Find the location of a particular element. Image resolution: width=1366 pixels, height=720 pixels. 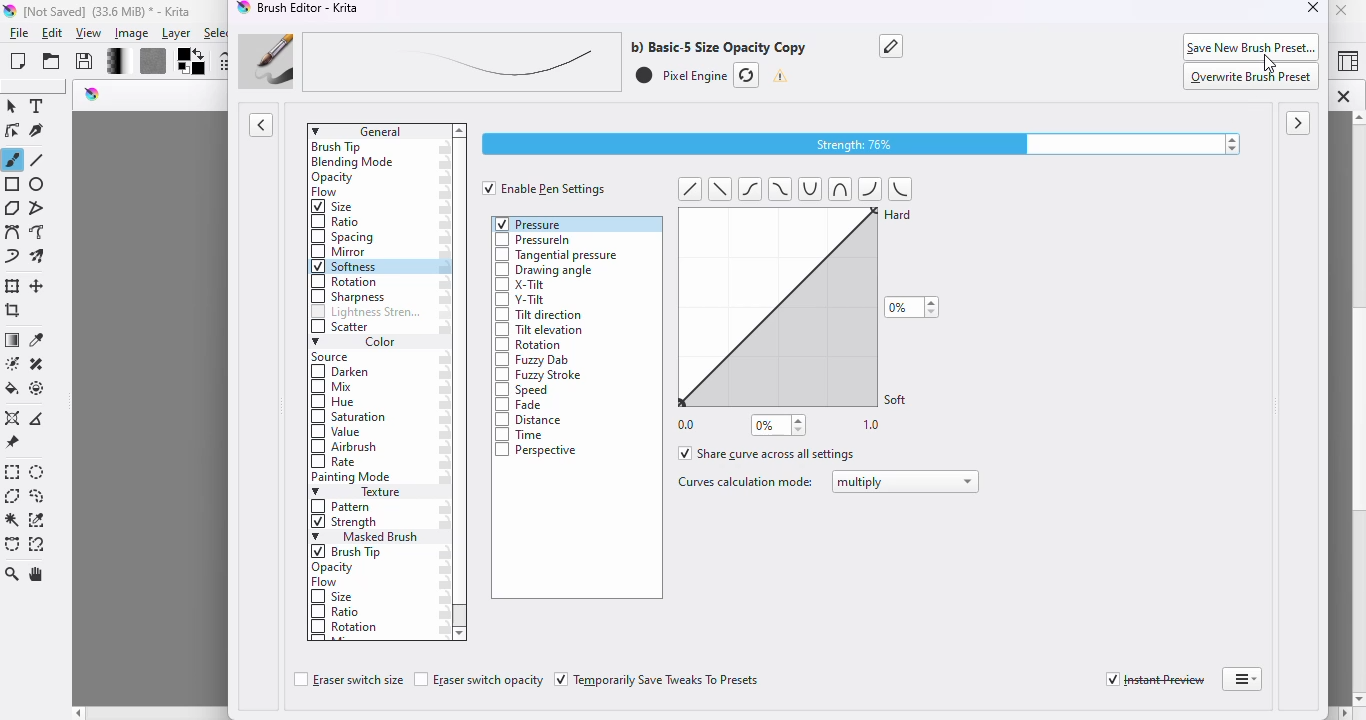

vertical scroll bar is located at coordinates (1345, 408).